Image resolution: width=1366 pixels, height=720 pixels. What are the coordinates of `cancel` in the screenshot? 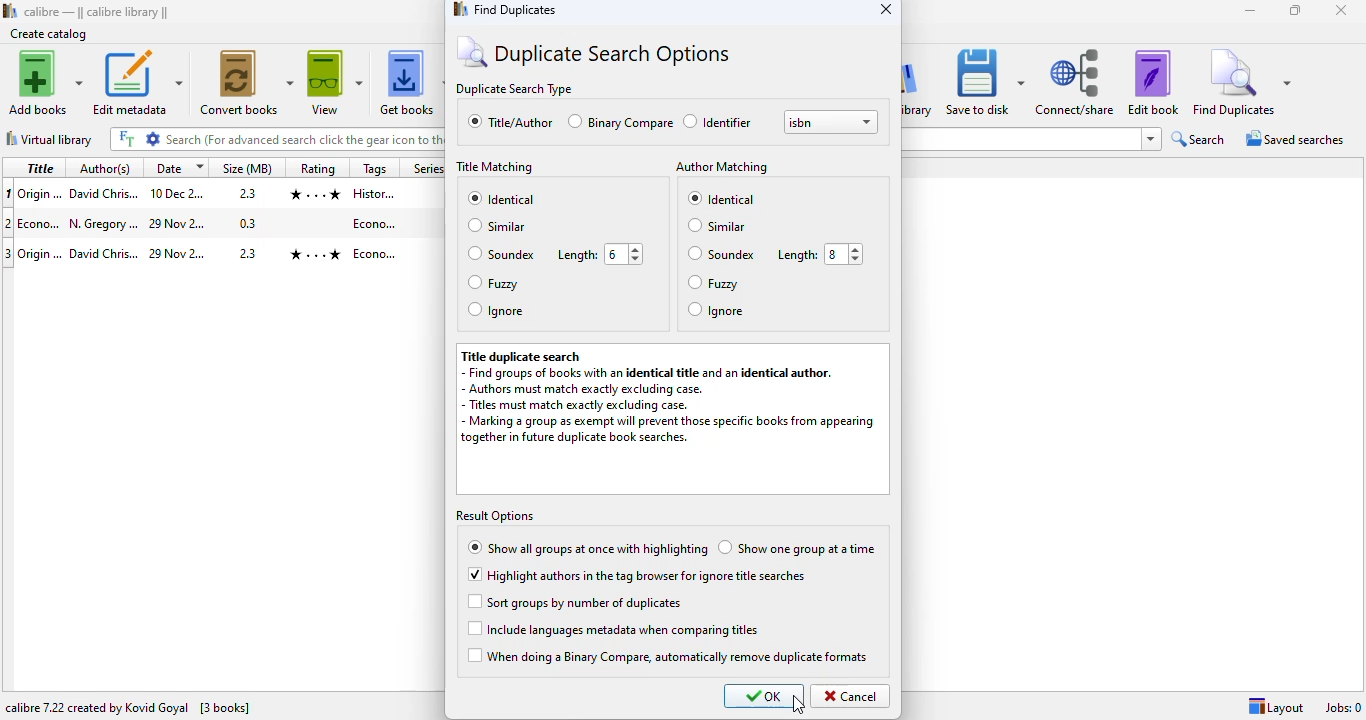 It's located at (851, 696).